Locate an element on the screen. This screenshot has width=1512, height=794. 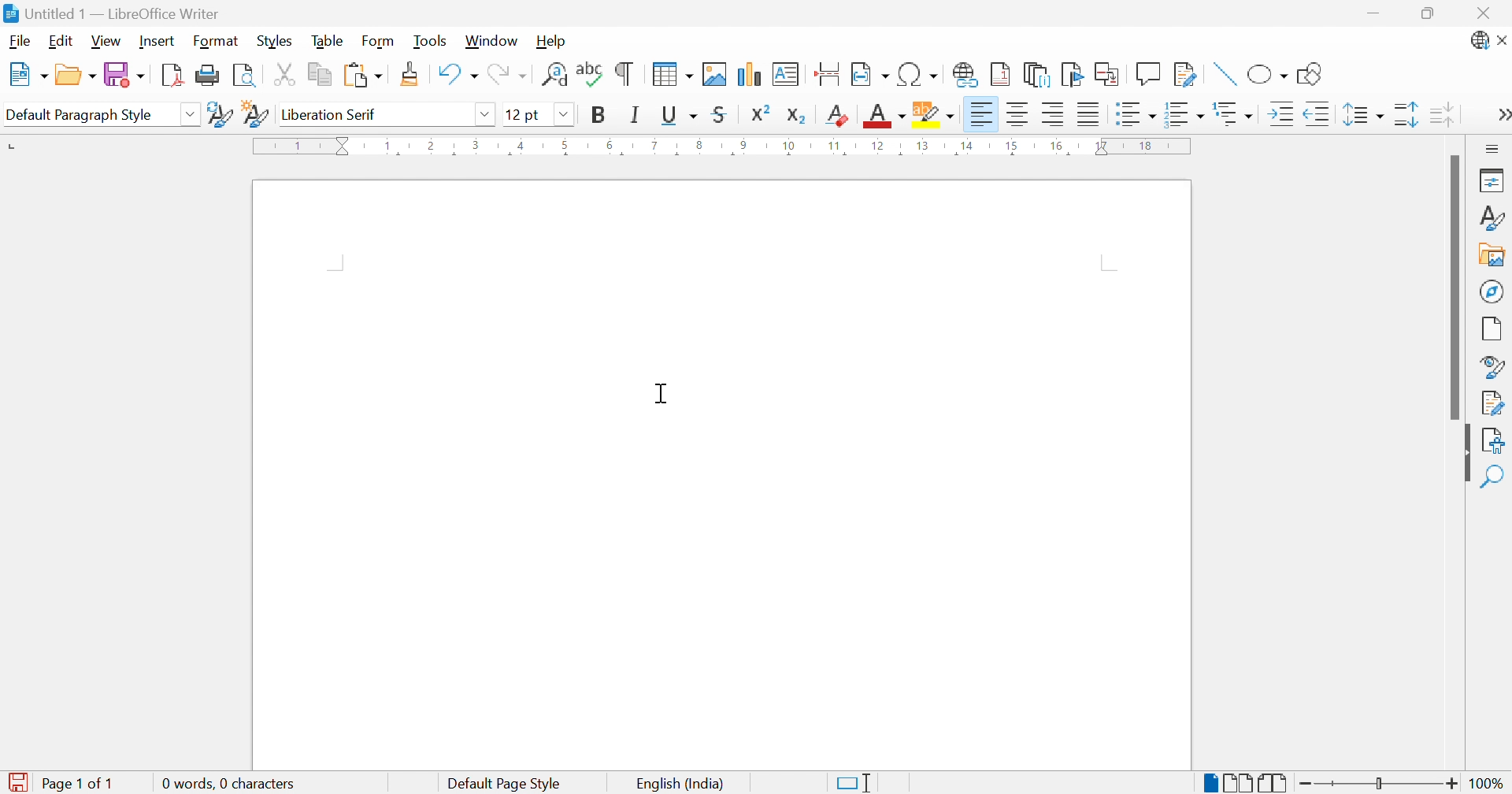
Default paragraph style is located at coordinates (80, 116).